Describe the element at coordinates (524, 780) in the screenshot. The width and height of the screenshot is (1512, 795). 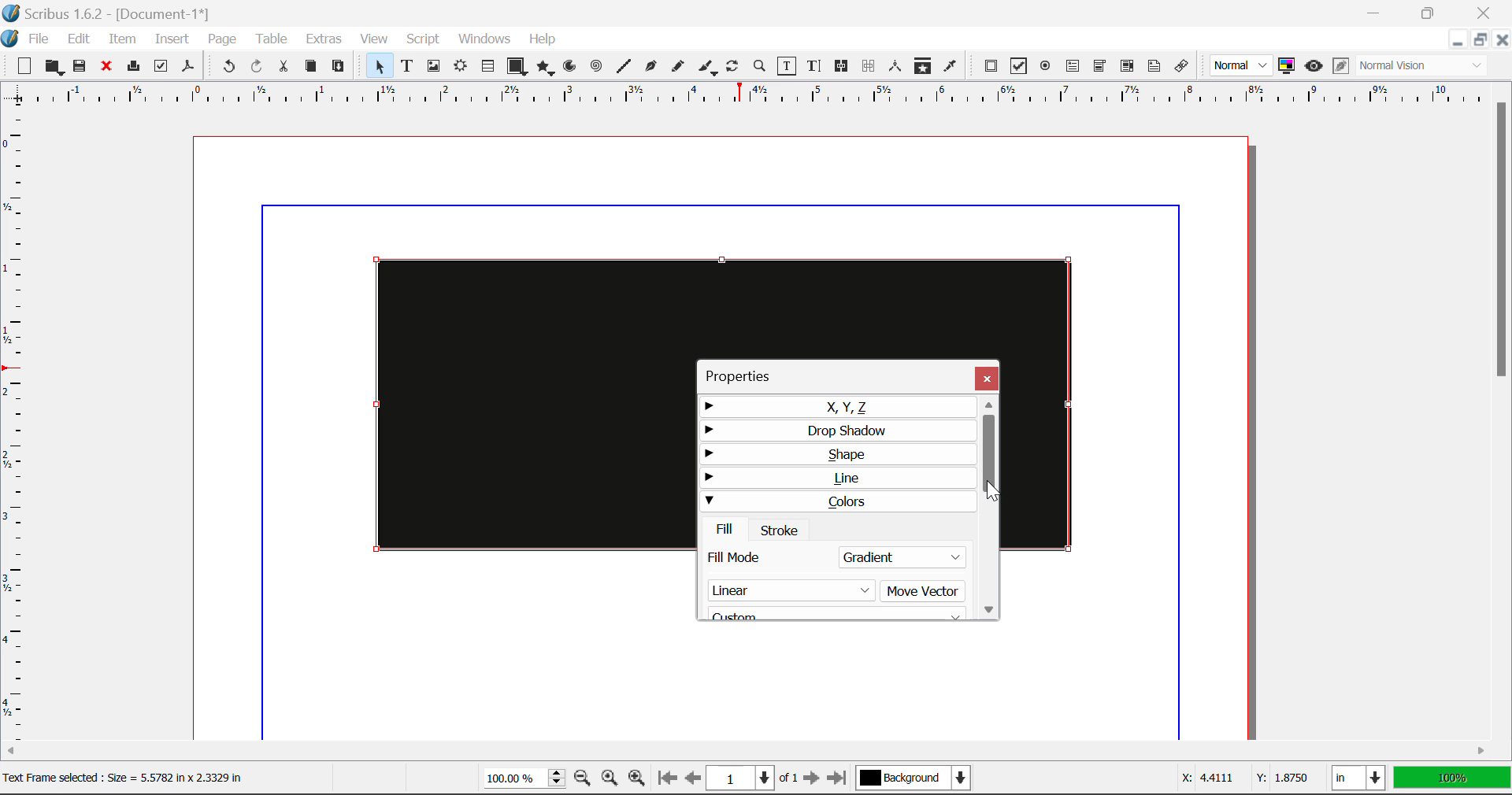
I see `Zoom 100%` at that location.